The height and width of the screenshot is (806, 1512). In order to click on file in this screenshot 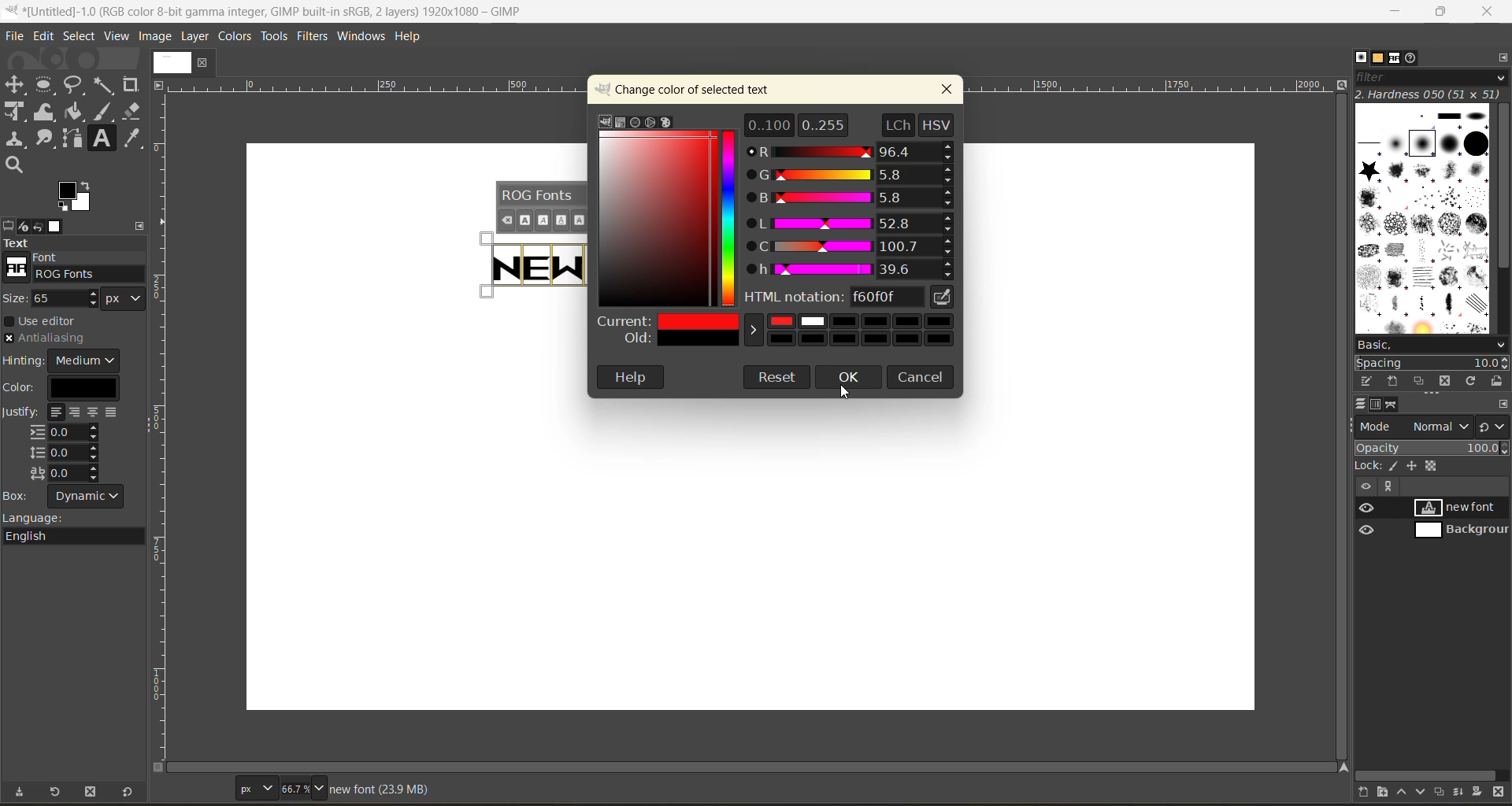, I will do `click(17, 33)`.